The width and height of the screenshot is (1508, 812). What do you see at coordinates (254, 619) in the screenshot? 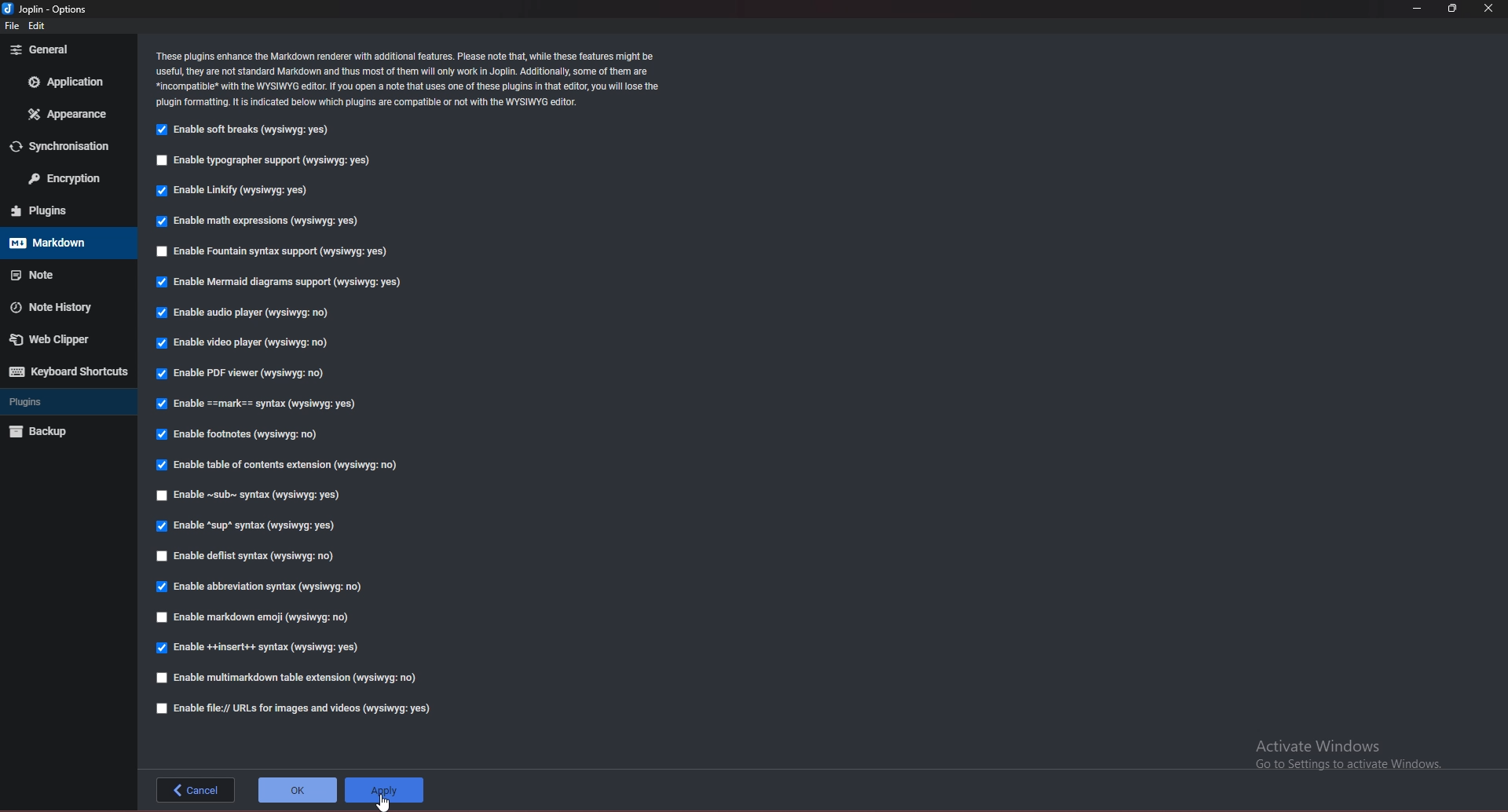
I see `enable markdown emoji` at bounding box center [254, 619].